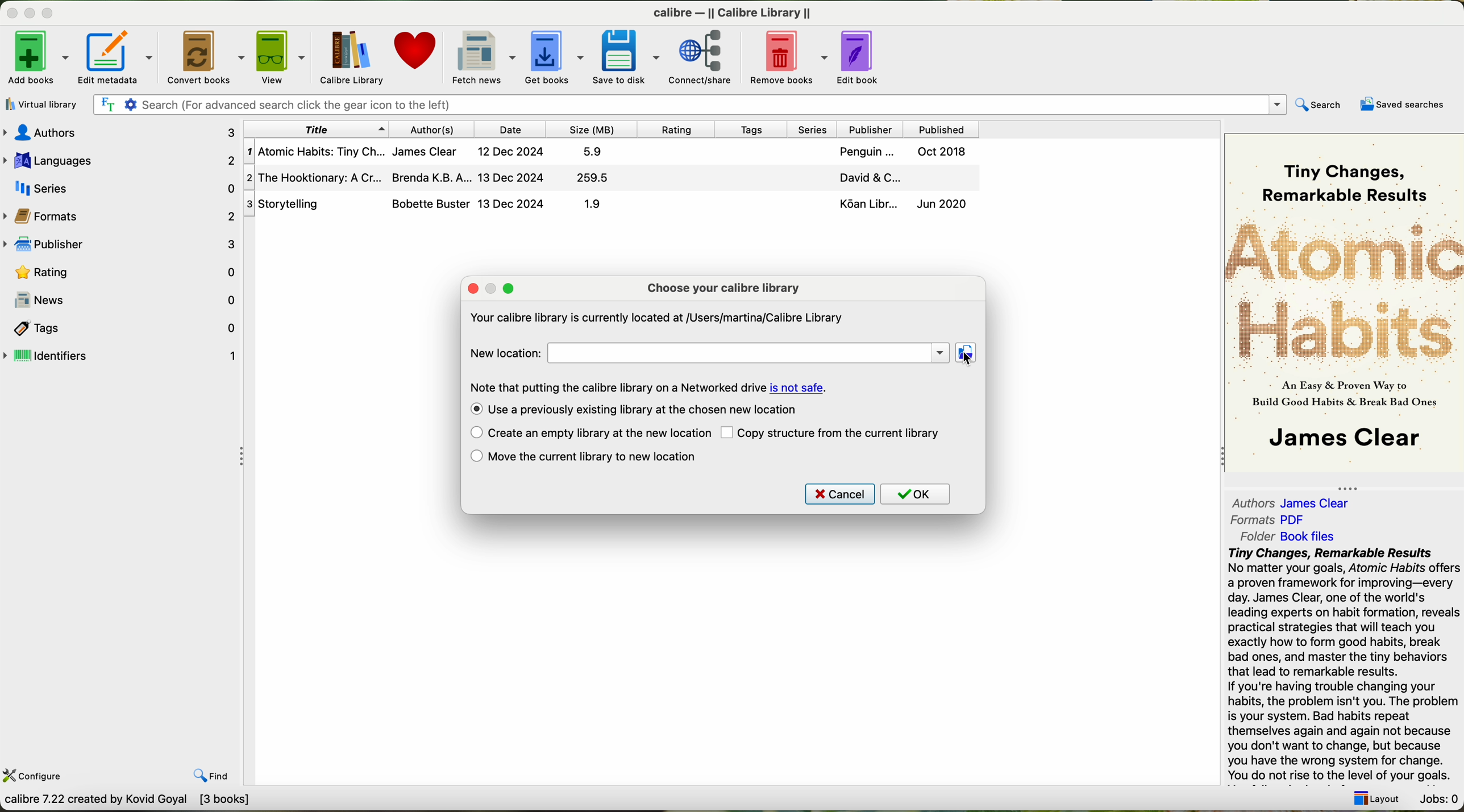 This screenshot has width=1464, height=812. Describe the element at coordinates (121, 188) in the screenshot. I see `series` at that location.